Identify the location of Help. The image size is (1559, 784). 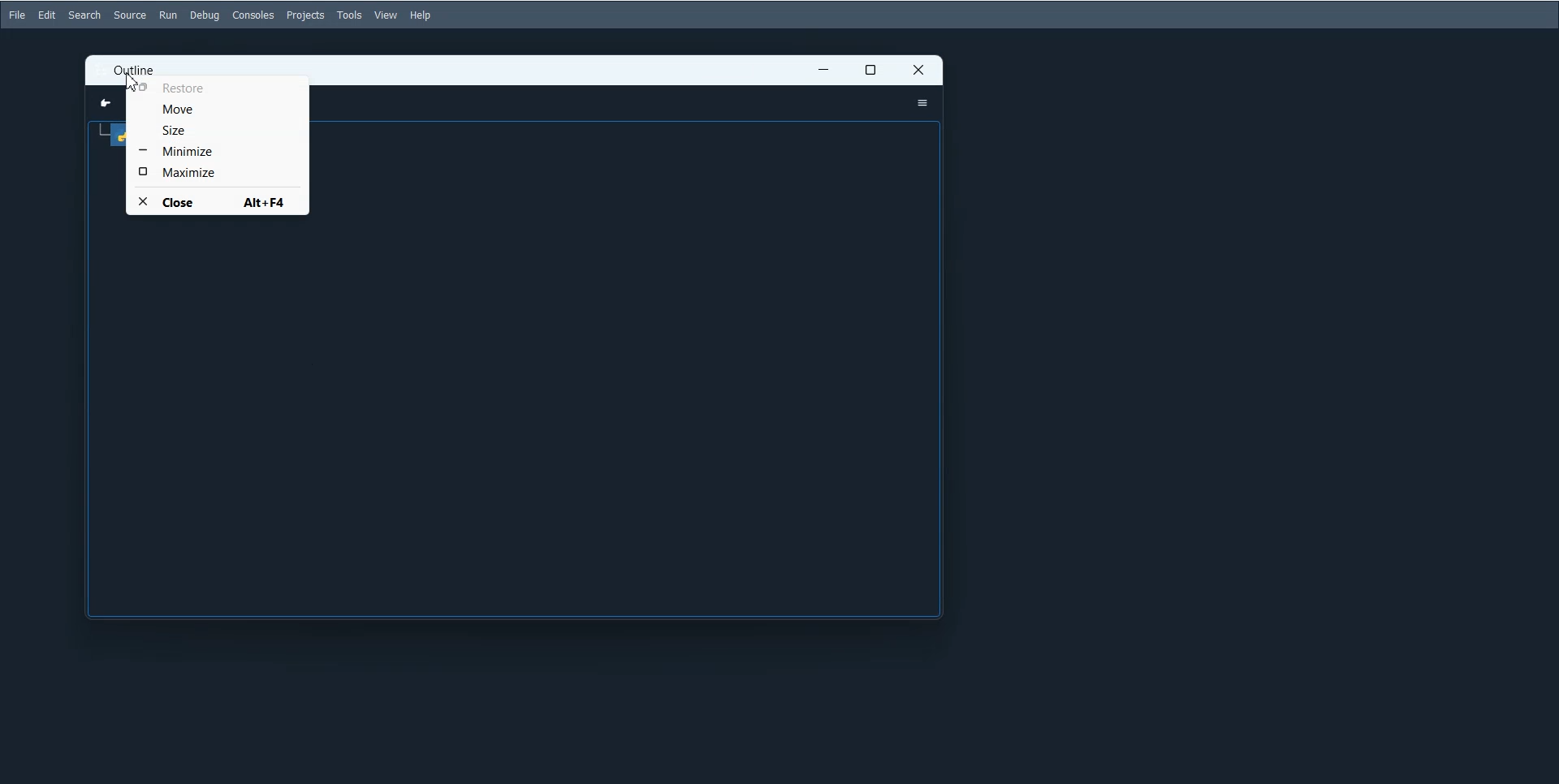
(422, 15).